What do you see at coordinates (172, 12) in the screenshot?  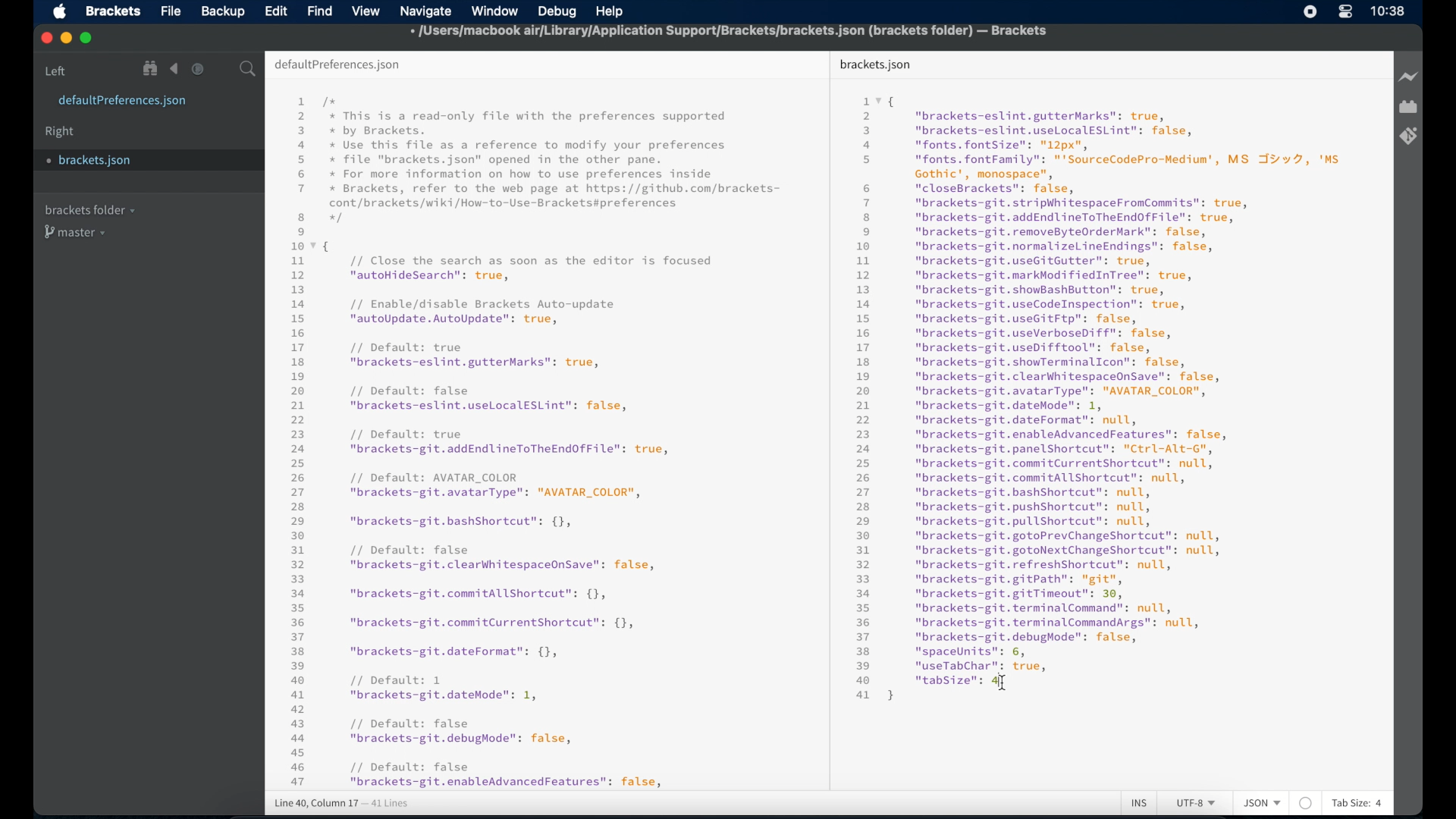 I see `file` at bounding box center [172, 12].